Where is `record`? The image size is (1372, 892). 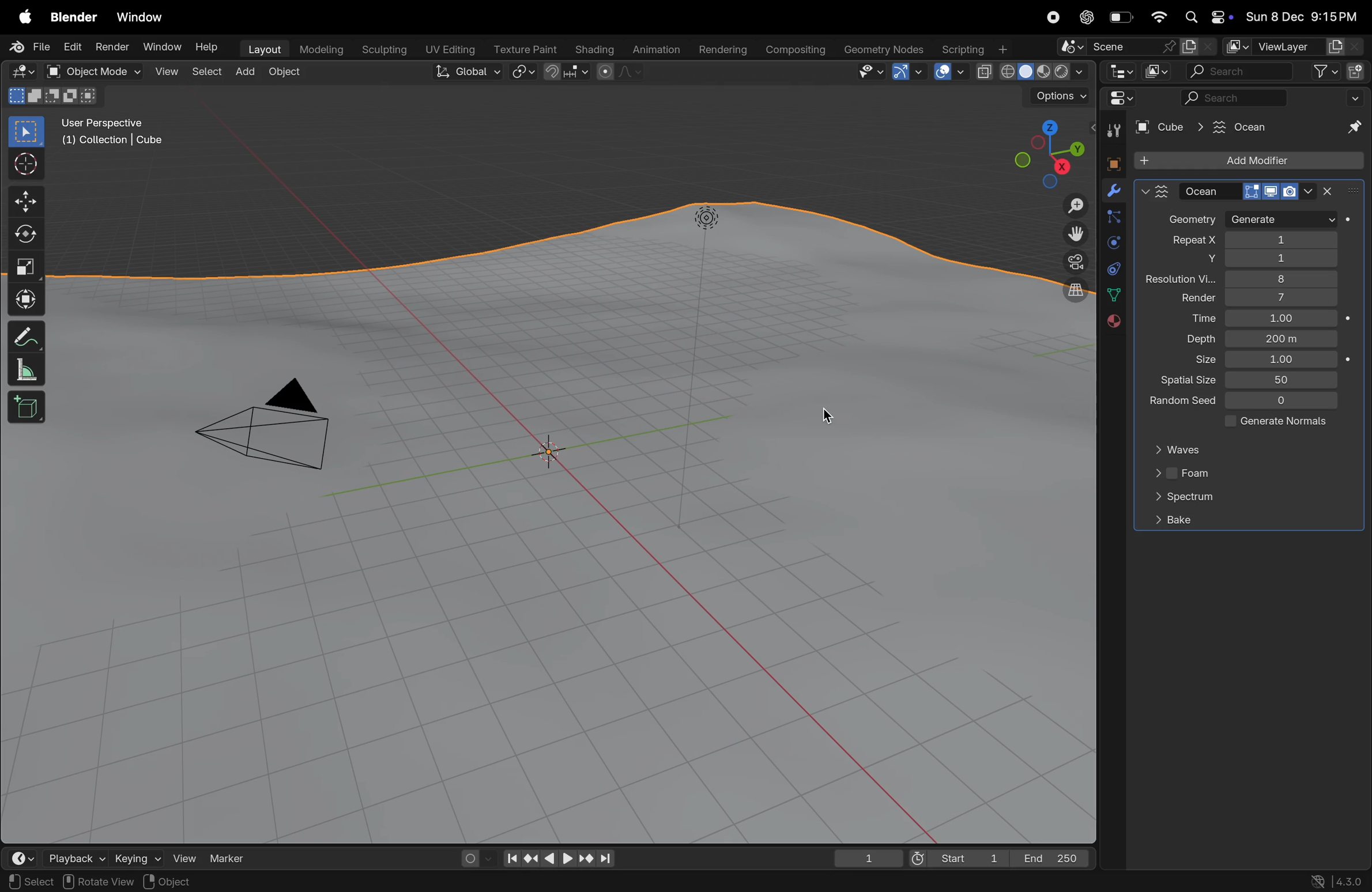
record is located at coordinates (1051, 17).